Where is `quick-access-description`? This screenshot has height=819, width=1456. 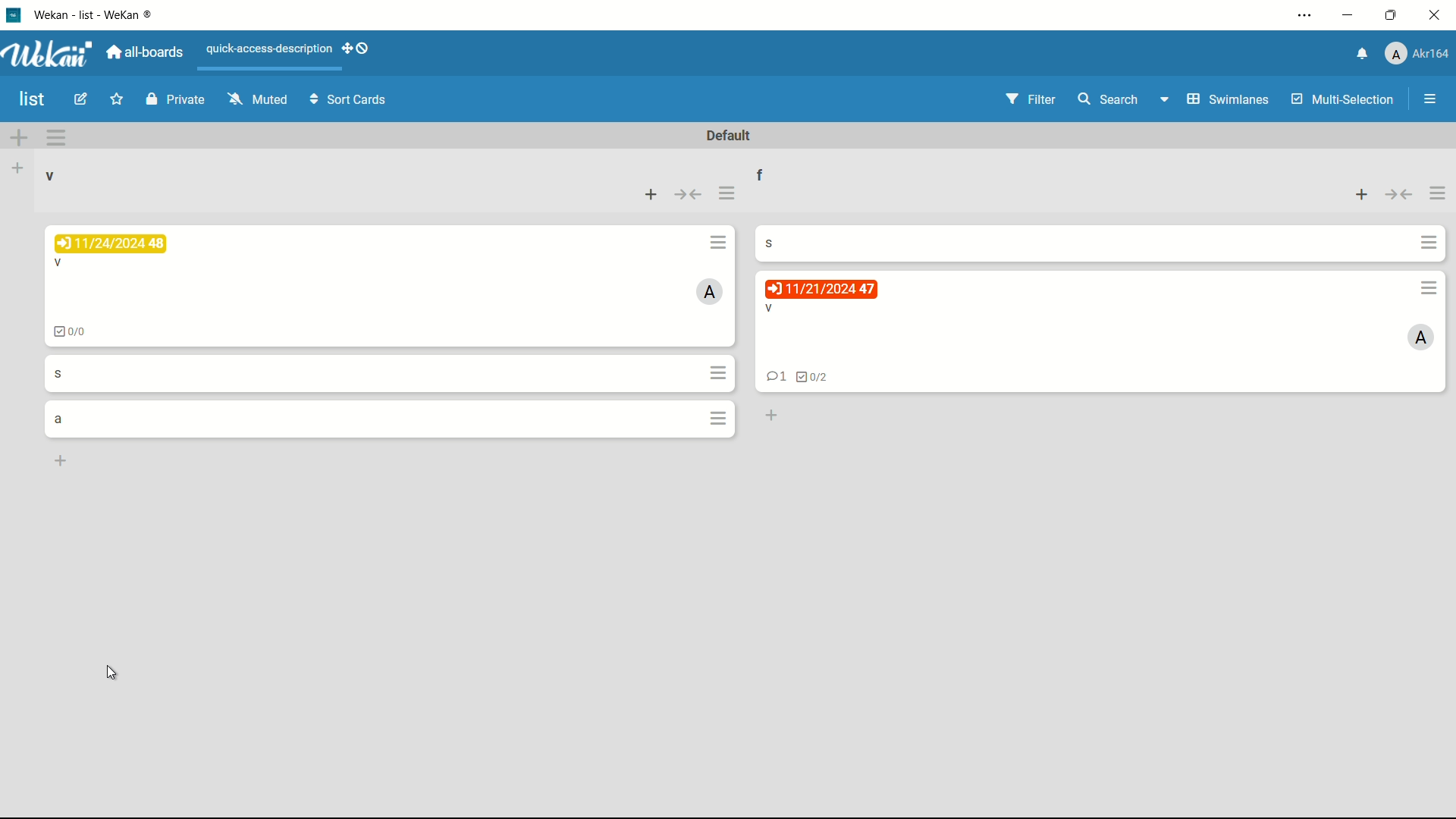 quick-access-description is located at coordinates (269, 49).